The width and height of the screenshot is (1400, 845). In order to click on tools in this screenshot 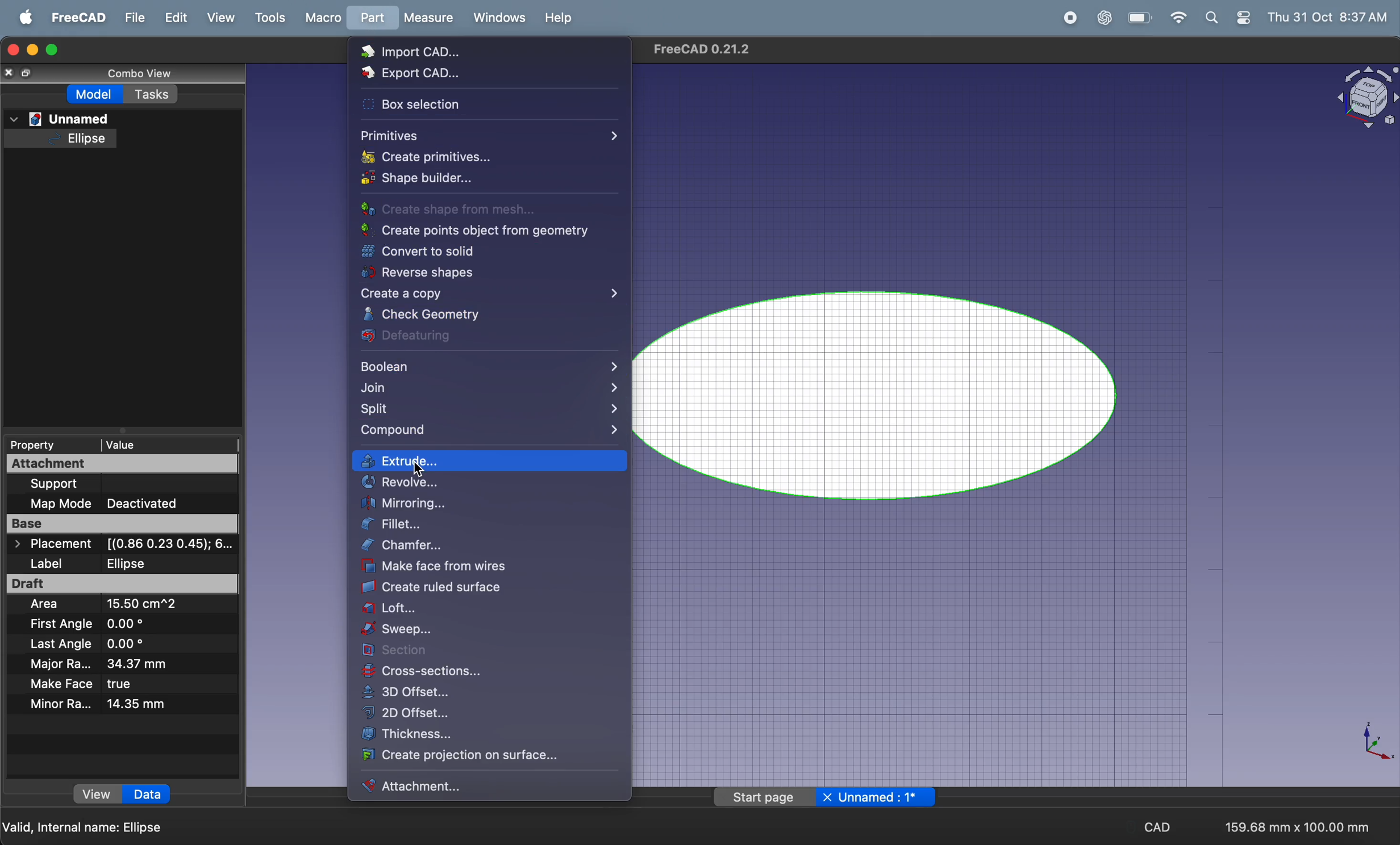, I will do `click(266, 18)`.